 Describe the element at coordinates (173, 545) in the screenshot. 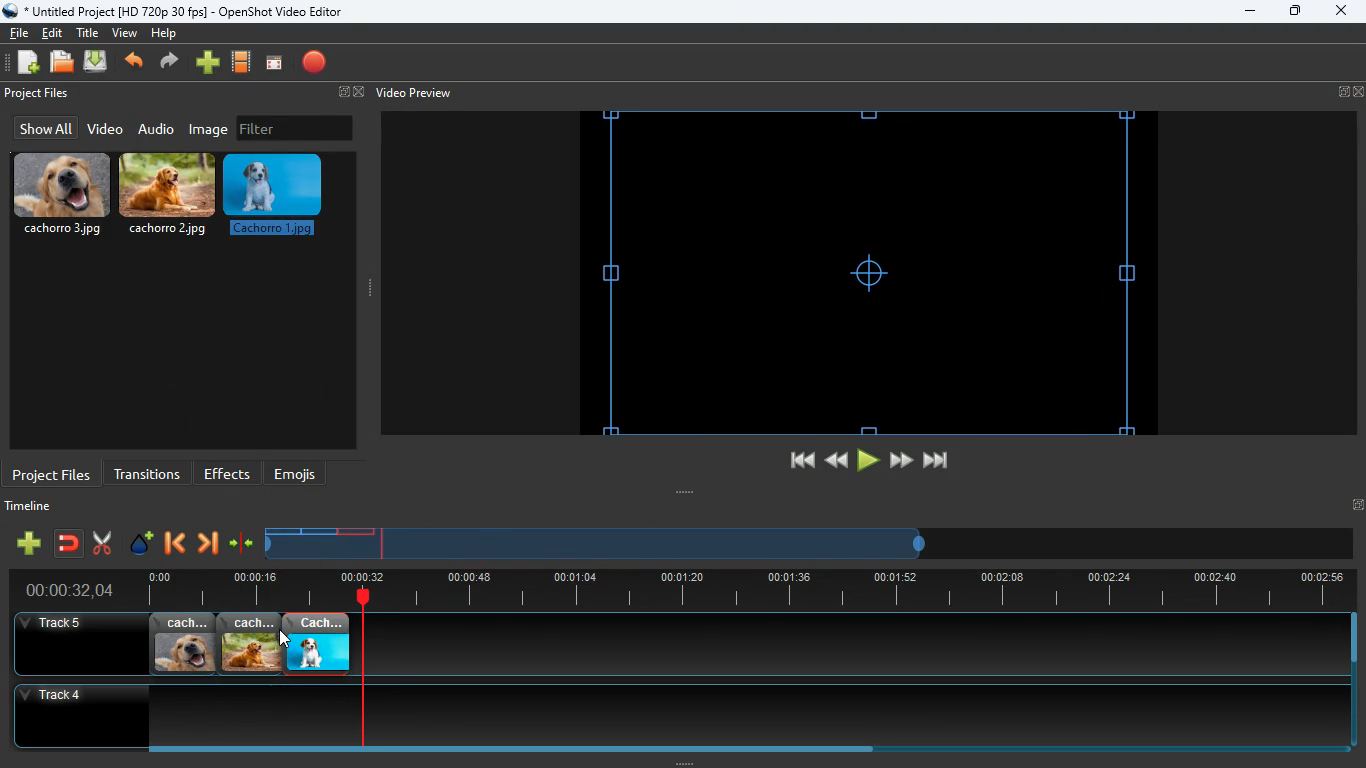

I see `back` at that location.